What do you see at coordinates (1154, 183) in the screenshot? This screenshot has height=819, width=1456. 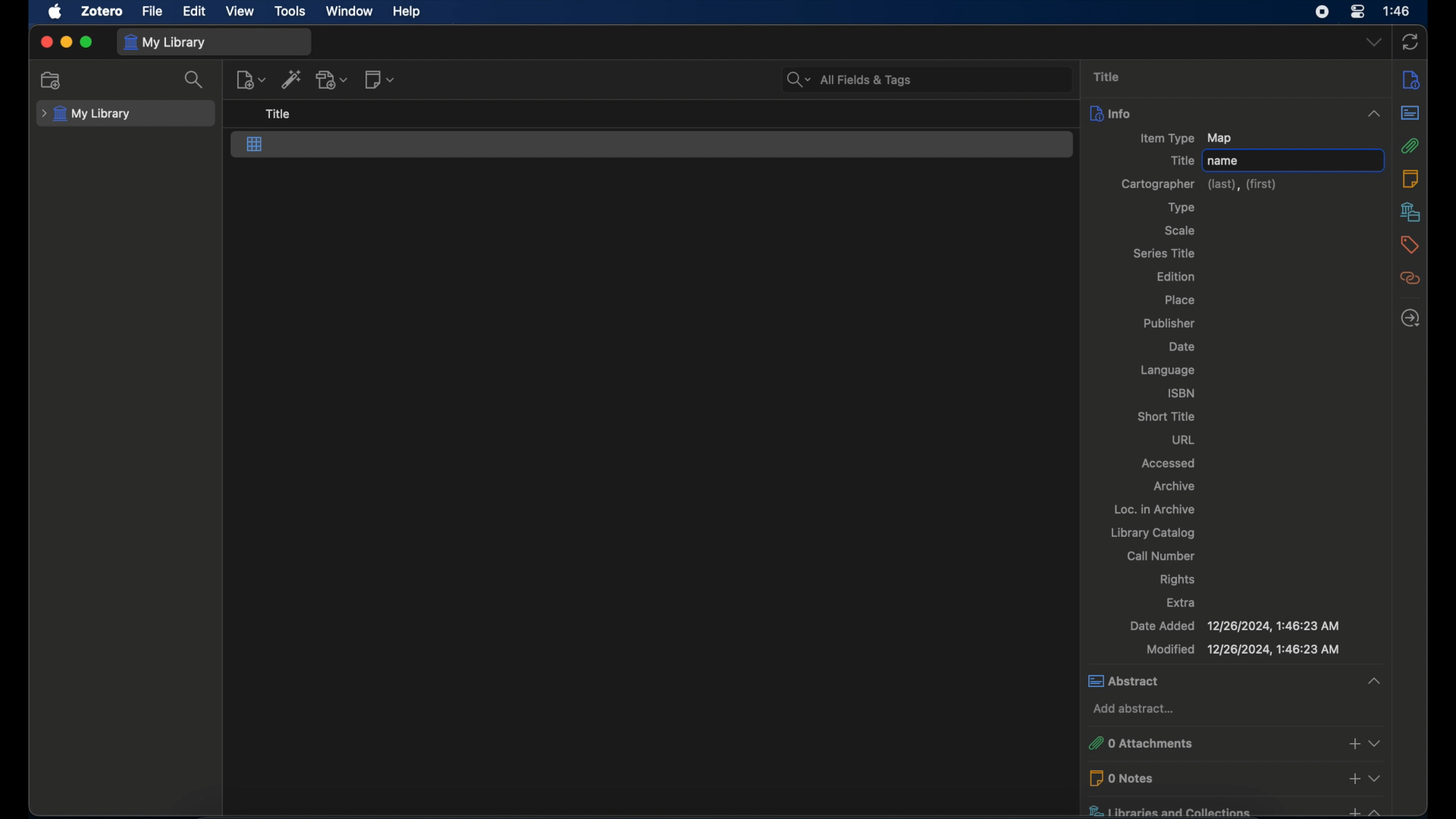 I see `Cartographer` at bounding box center [1154, 183].